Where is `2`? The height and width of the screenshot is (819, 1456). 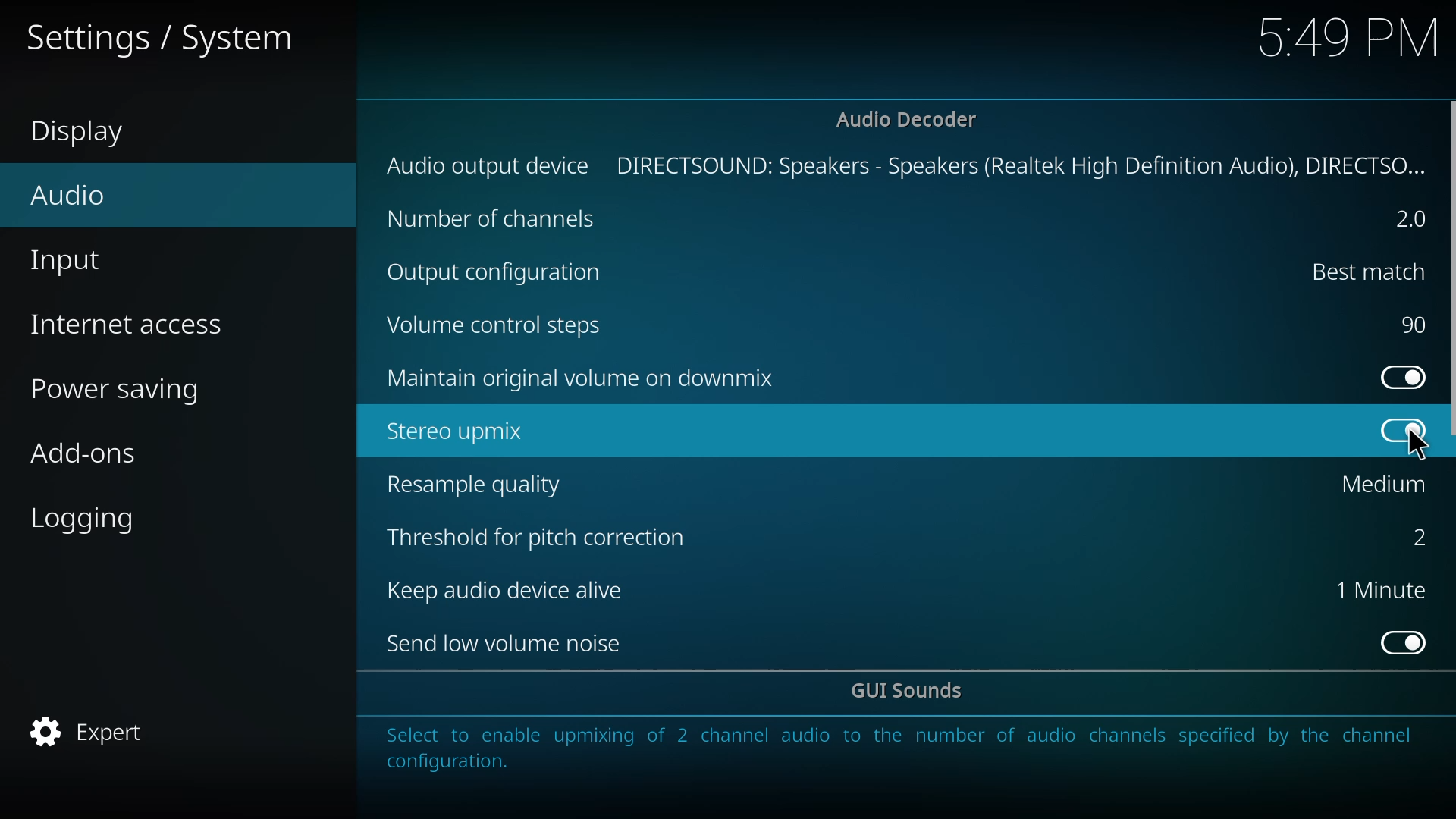 2 is located at coordinates (1411, 219).